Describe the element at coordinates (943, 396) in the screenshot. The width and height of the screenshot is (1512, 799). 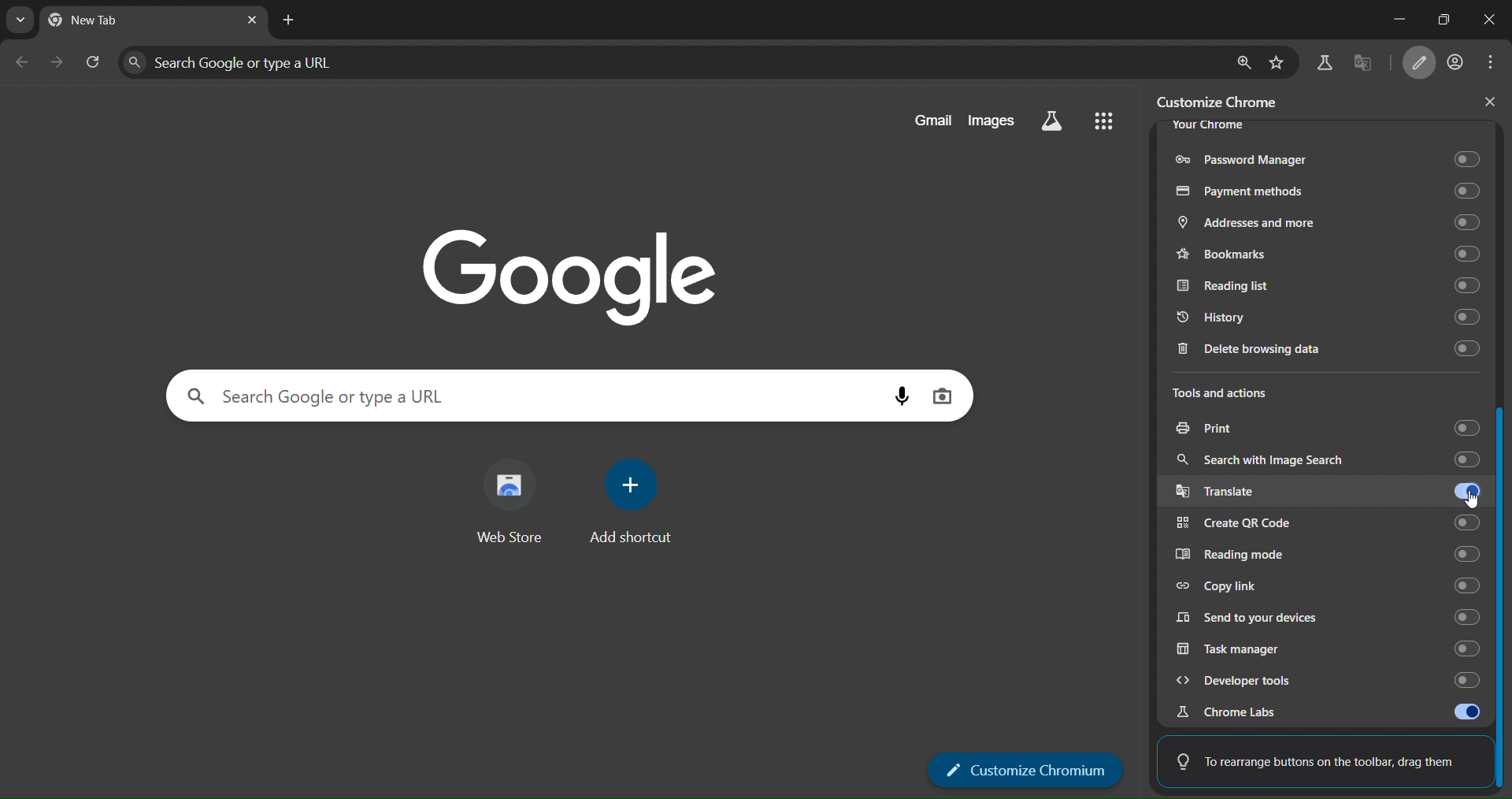
I see `image search` at that location.